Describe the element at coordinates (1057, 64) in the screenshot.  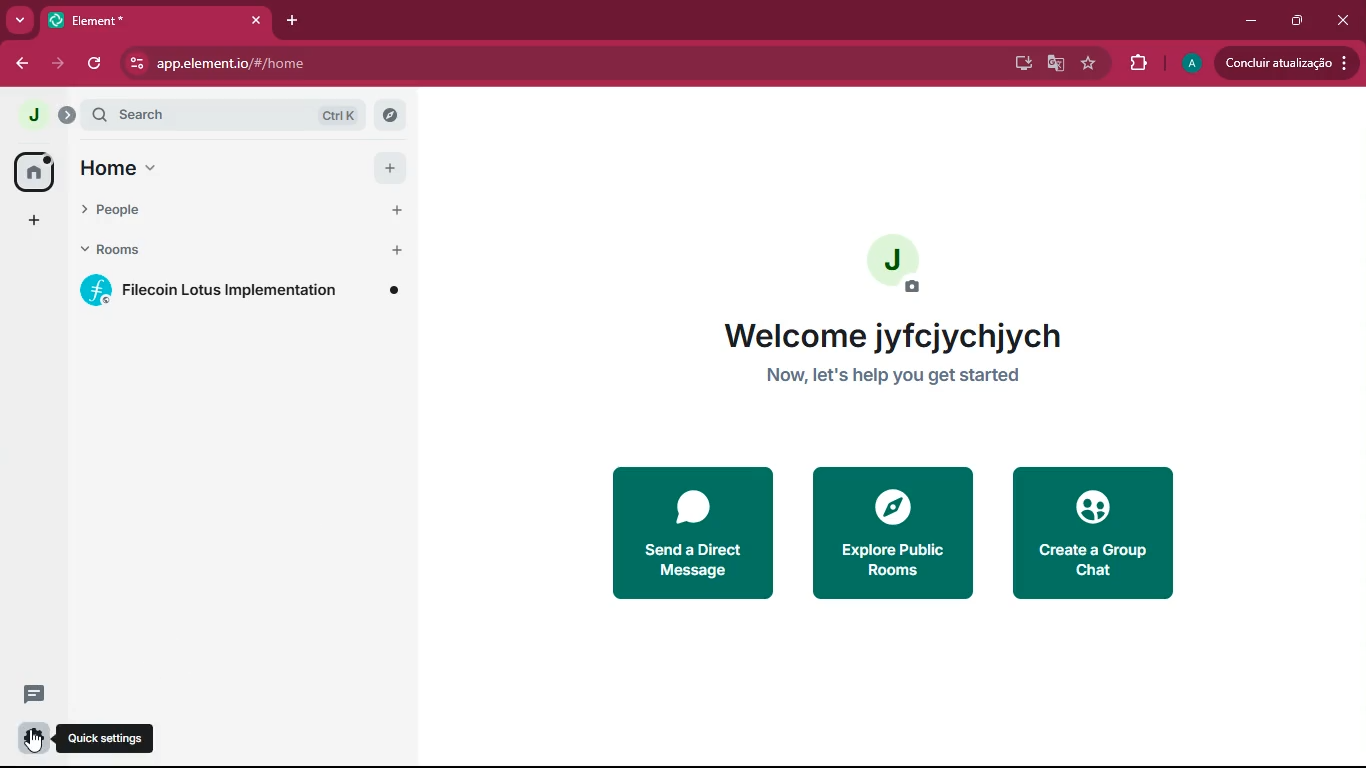
I see `translate` at that location.